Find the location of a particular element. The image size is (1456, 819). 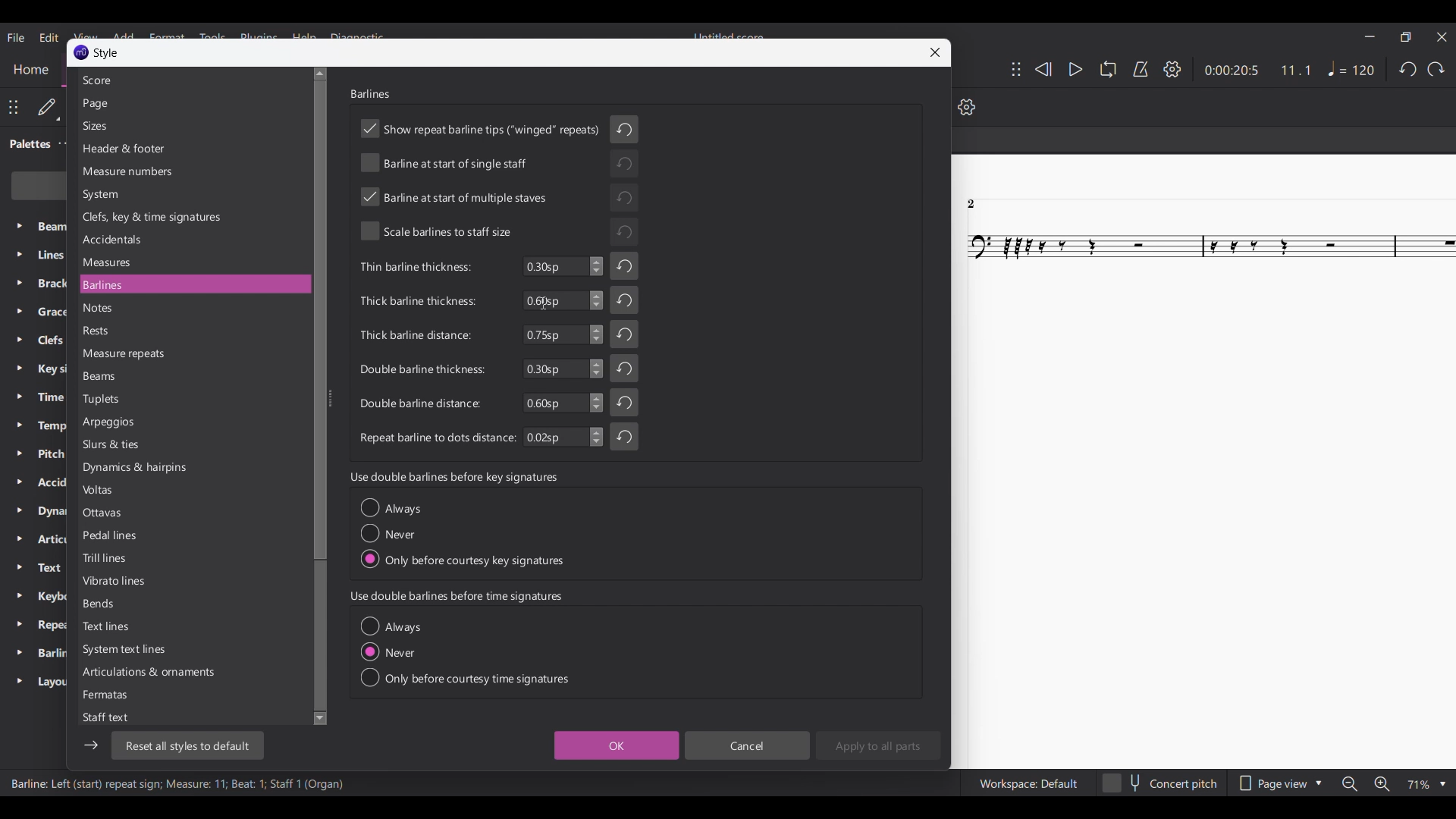

Default is located at coordinates (49, 108).